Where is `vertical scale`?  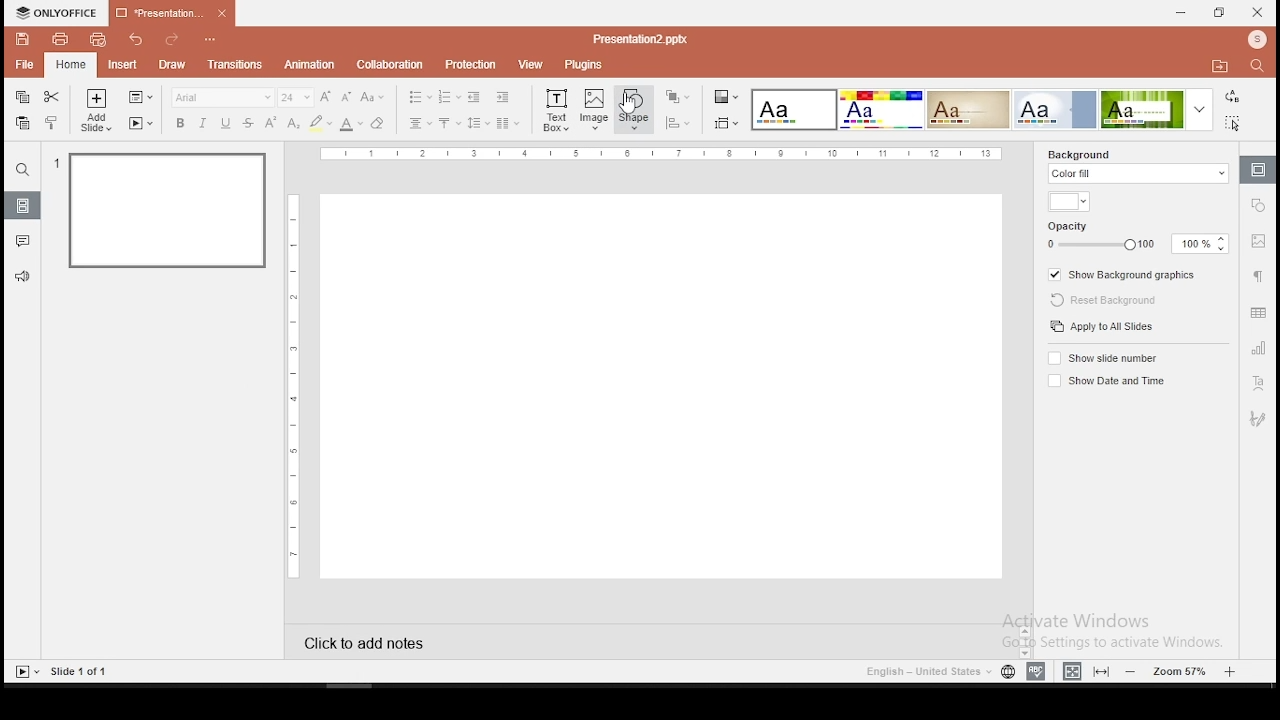
vertical scale is located at coordinates (662, 154).